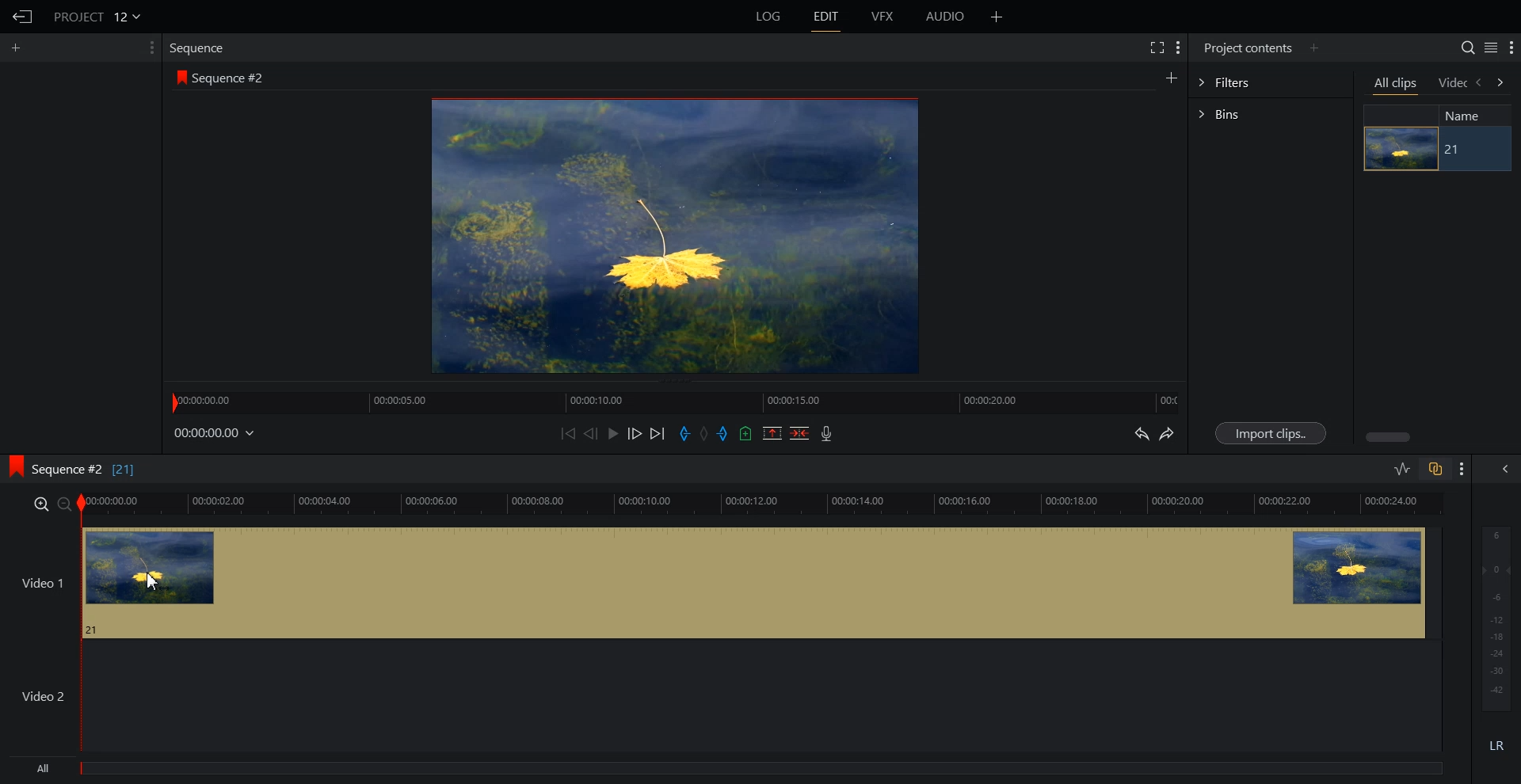 The height and width of the screenshot is (784, 1521). Describe the element at coordinates (1473, 150) in the screenshot. I see `21` at that location.